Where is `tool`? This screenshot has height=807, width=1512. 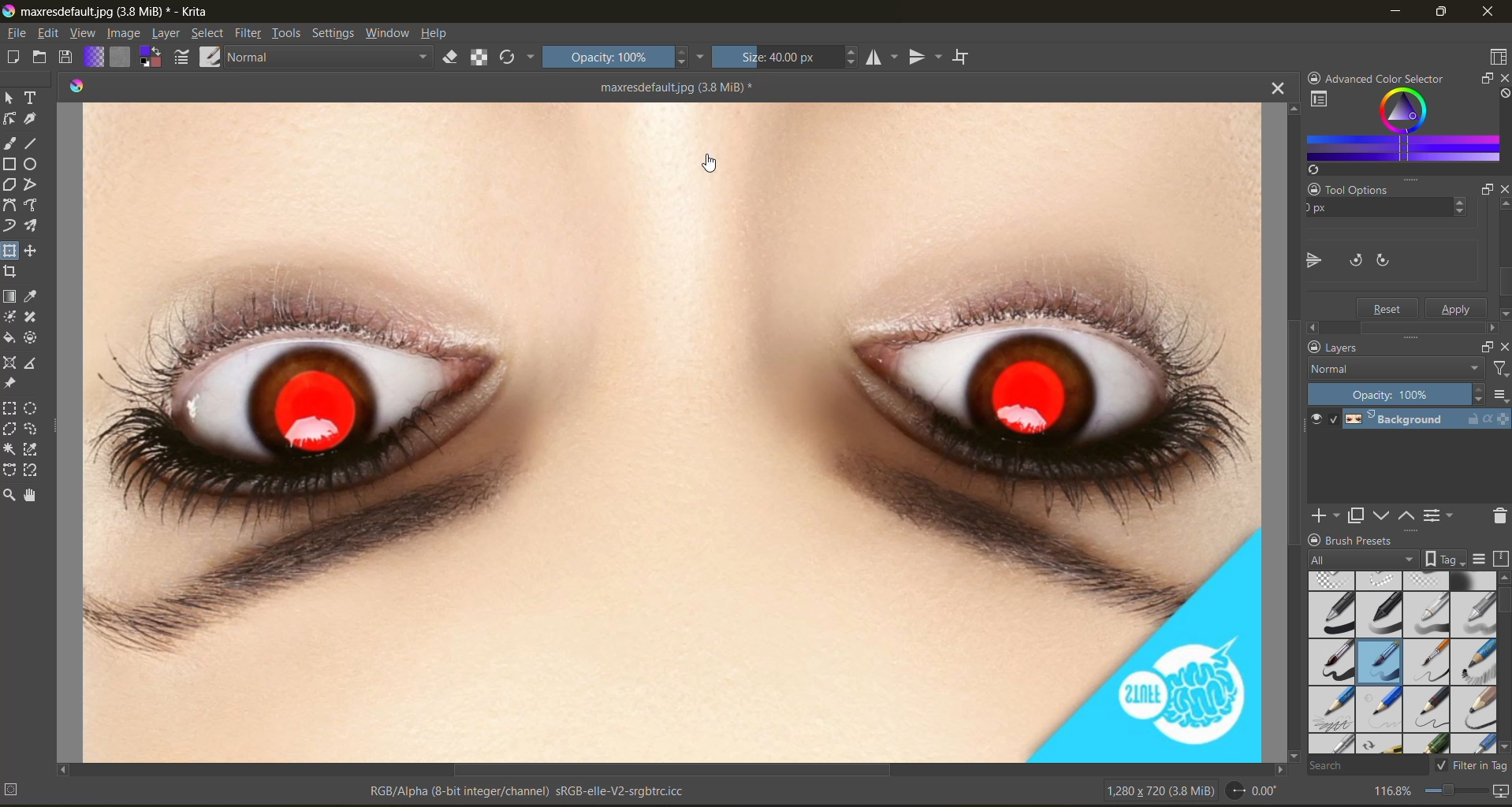 tool is located at coordinates (13, 225).